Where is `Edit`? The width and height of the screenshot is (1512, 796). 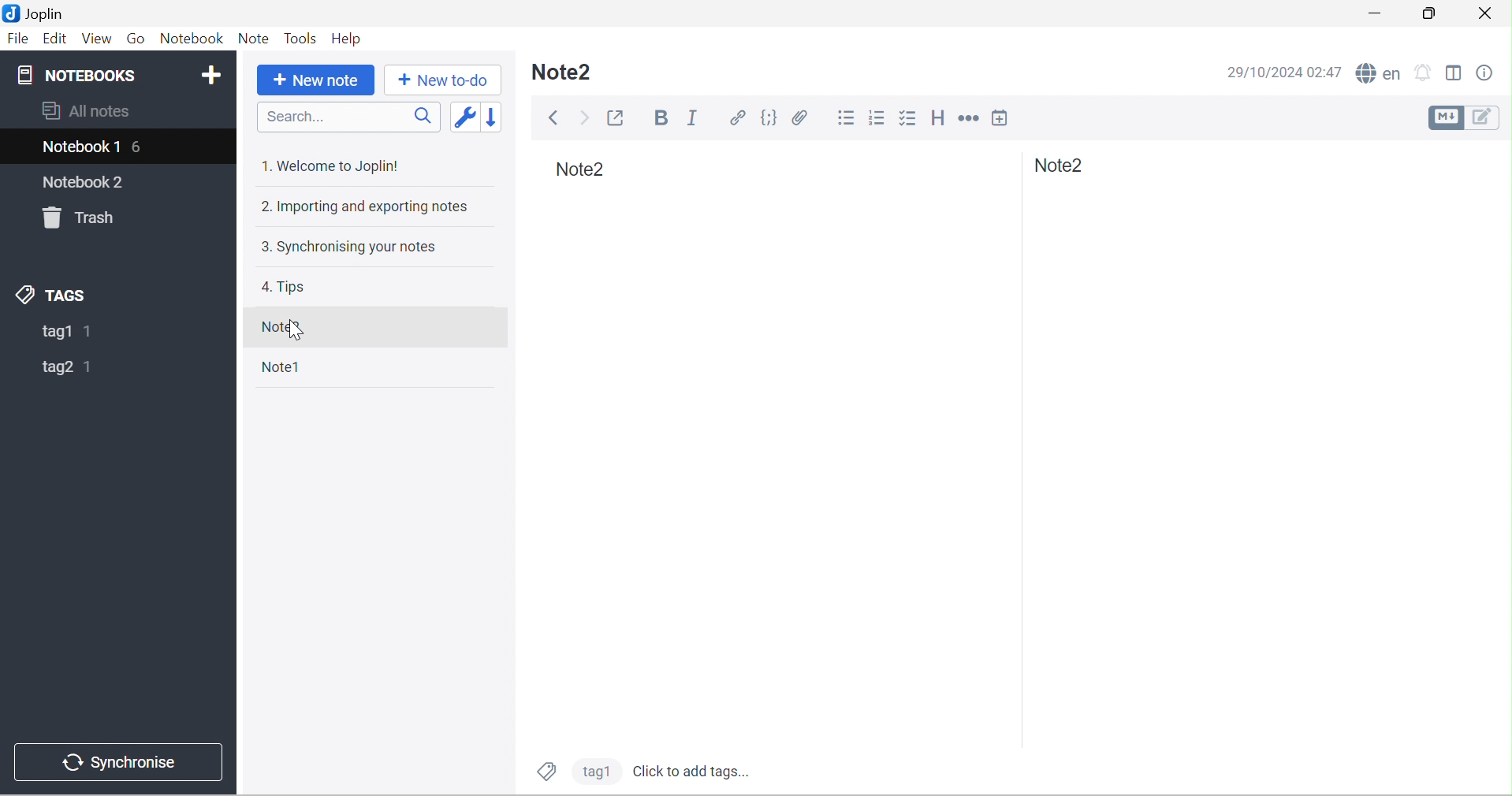
Edit is located at coordinates (55, 40).